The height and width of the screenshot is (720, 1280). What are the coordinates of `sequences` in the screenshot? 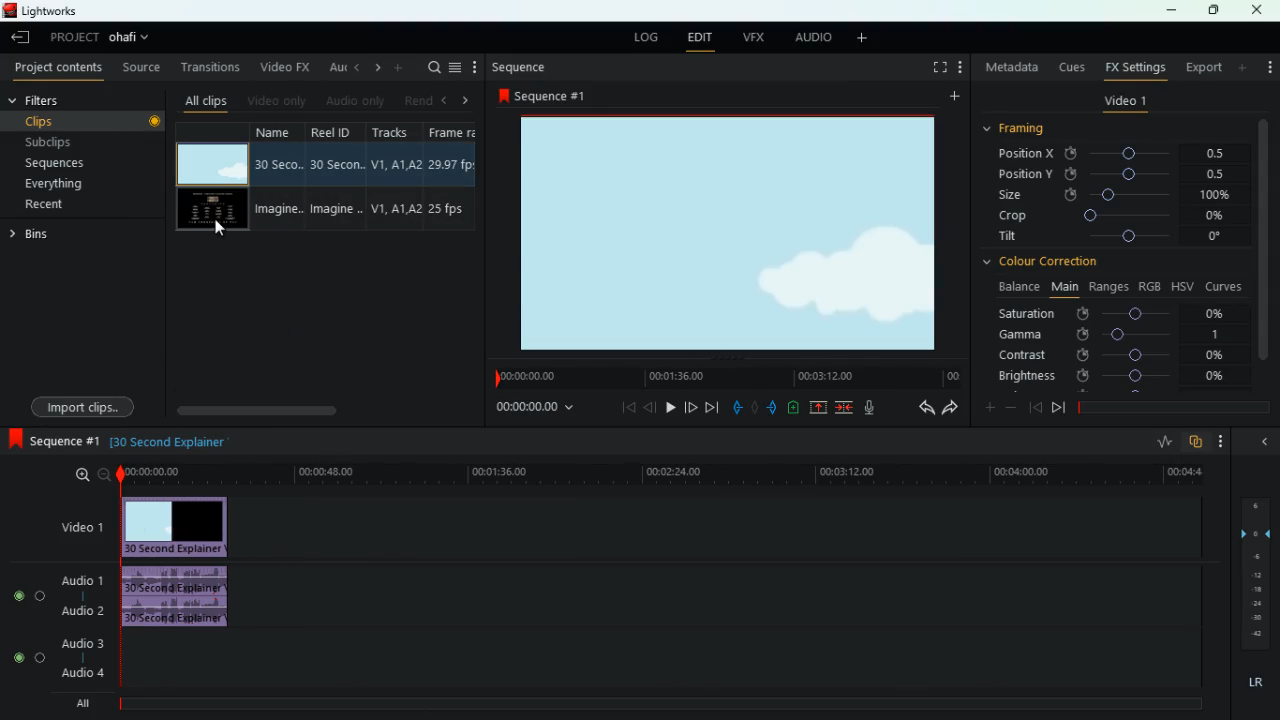 It's located at (78, 163).